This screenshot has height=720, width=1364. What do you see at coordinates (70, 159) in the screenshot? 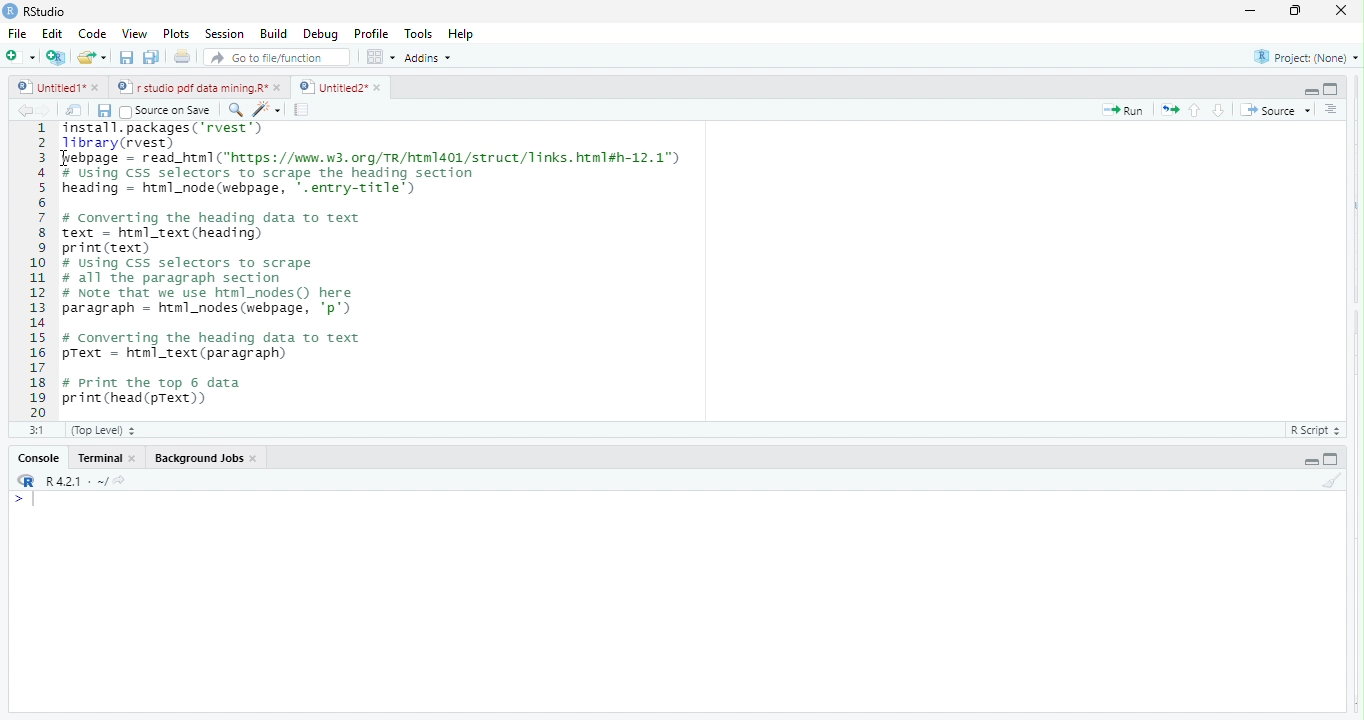
I see `cursor movement` at bounding box center [70, 159].